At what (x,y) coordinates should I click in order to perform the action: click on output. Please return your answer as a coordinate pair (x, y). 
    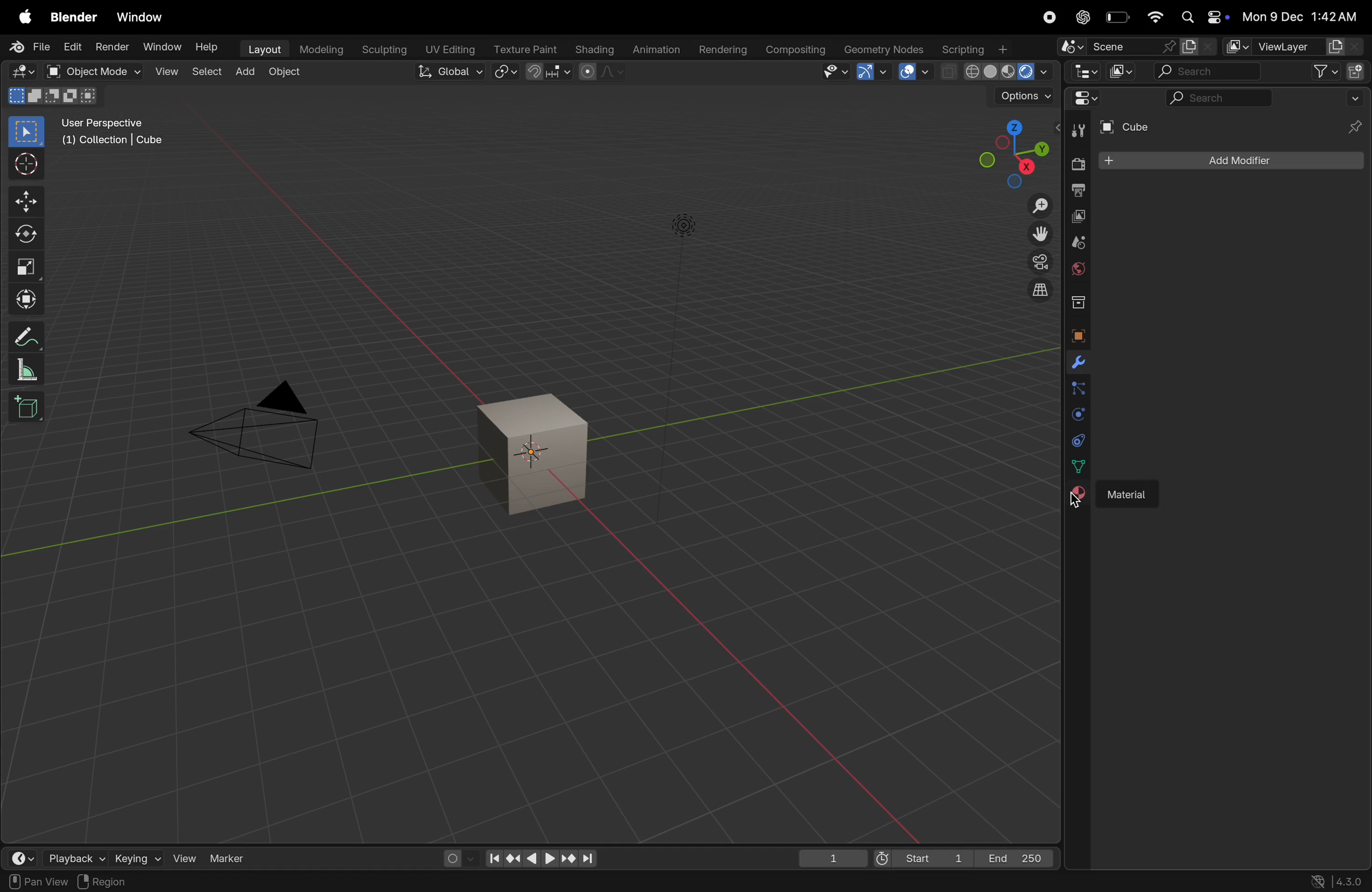
    Looking at the image, I should click on (1076, 192).